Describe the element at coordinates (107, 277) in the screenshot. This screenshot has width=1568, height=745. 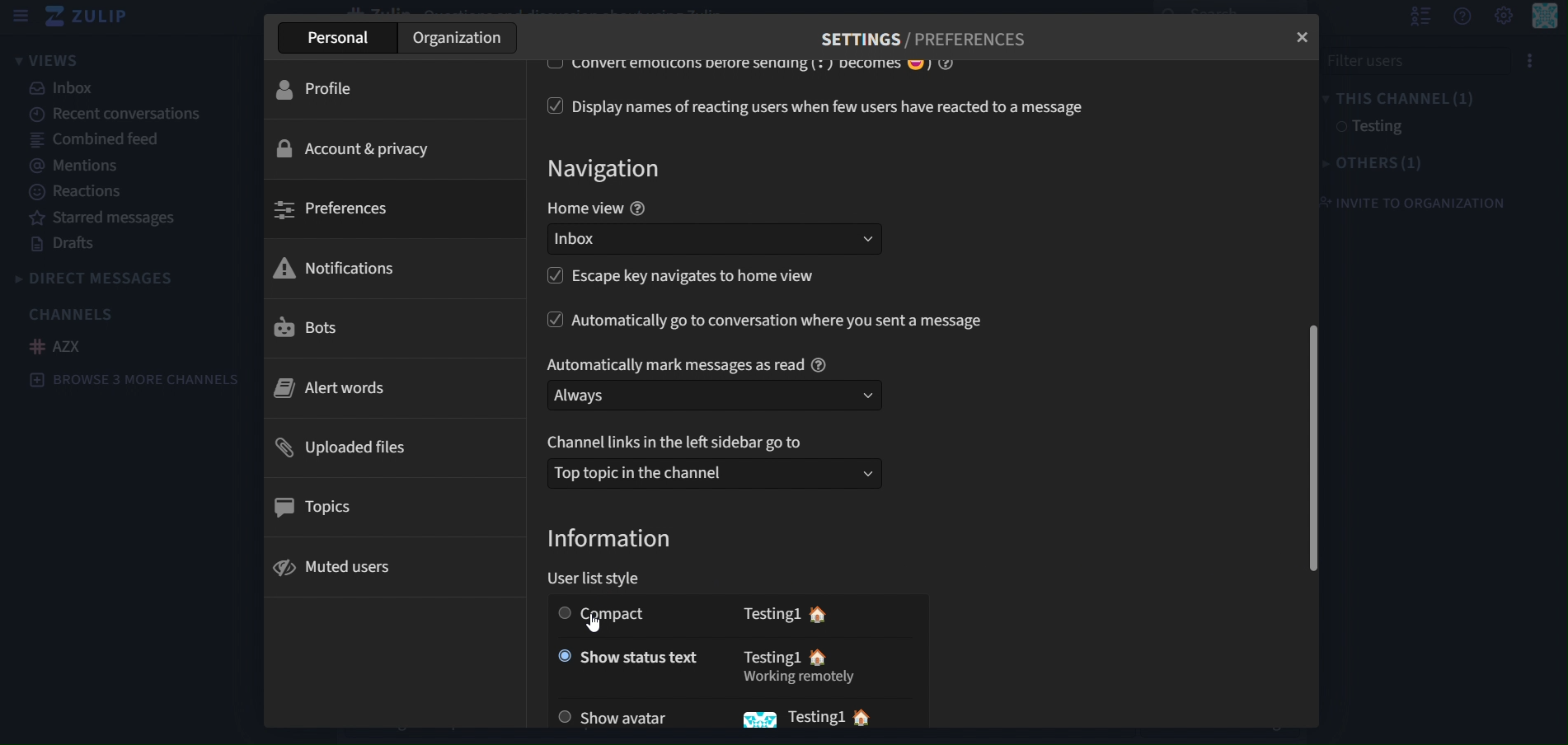
I see `direct messages` at that location.